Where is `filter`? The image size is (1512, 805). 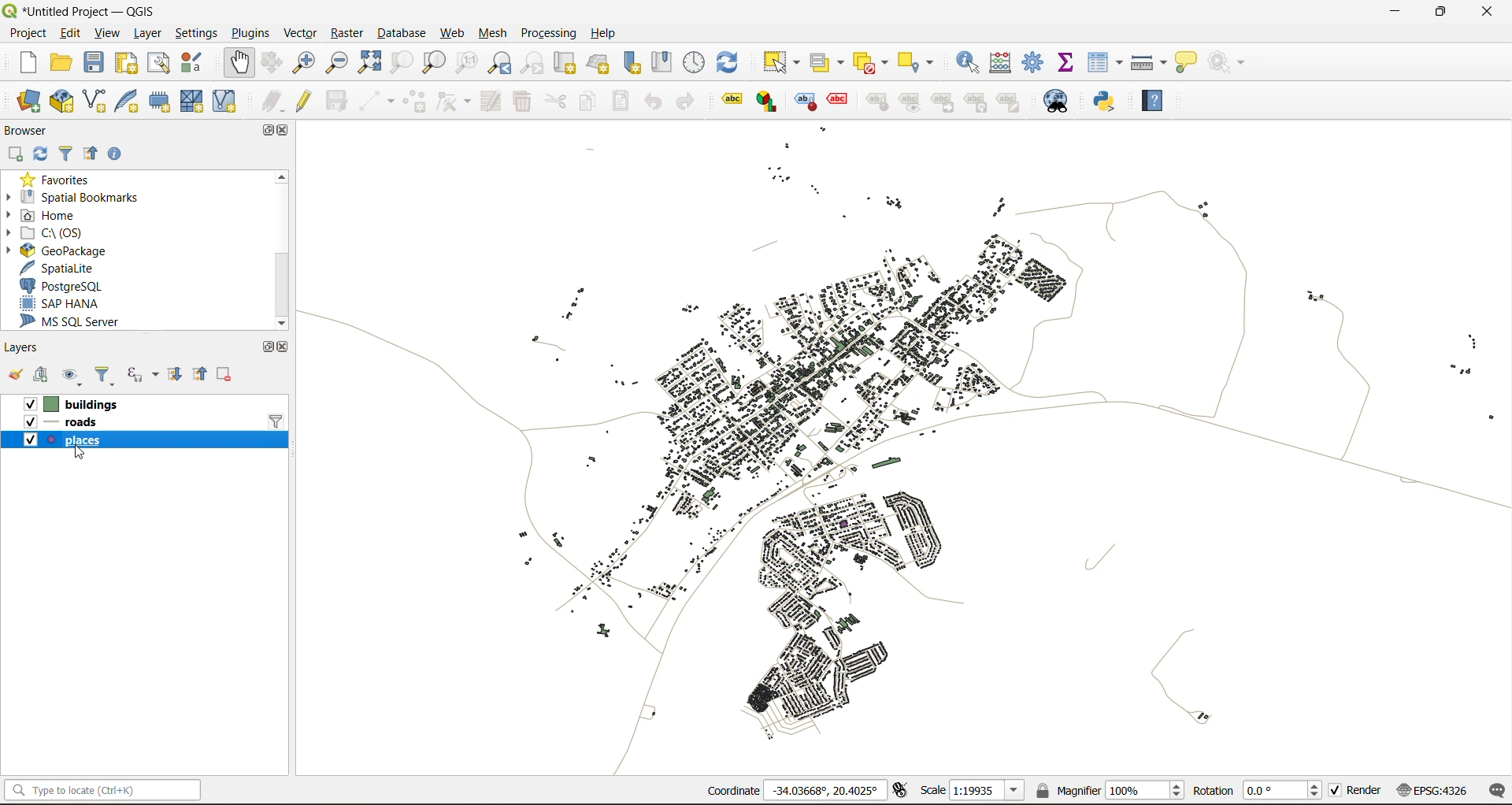
filter is located at coordinates (278, 421).